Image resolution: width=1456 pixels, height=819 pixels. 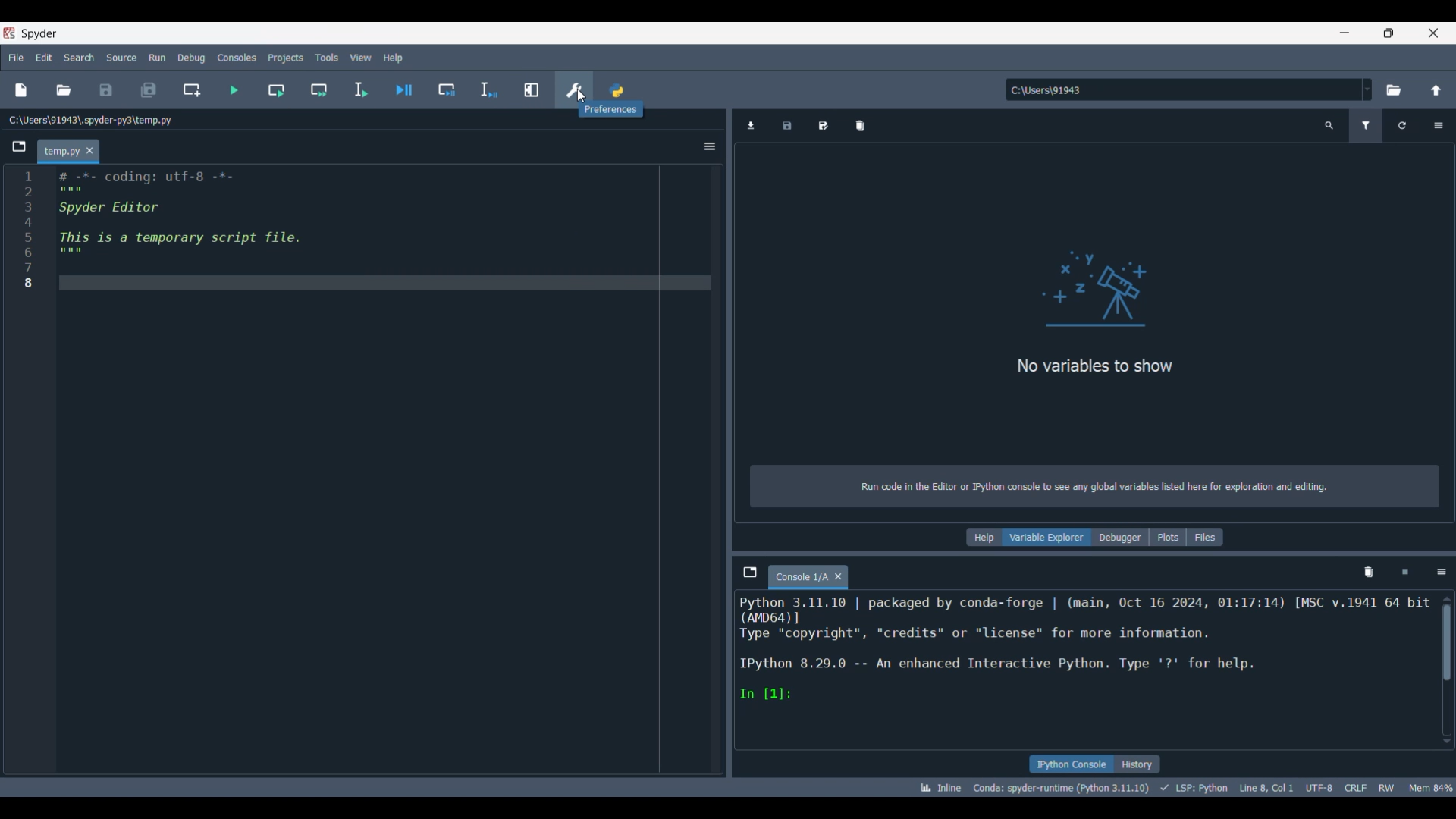 I want to click on Run selection/current line, so click(x=360, y=90).